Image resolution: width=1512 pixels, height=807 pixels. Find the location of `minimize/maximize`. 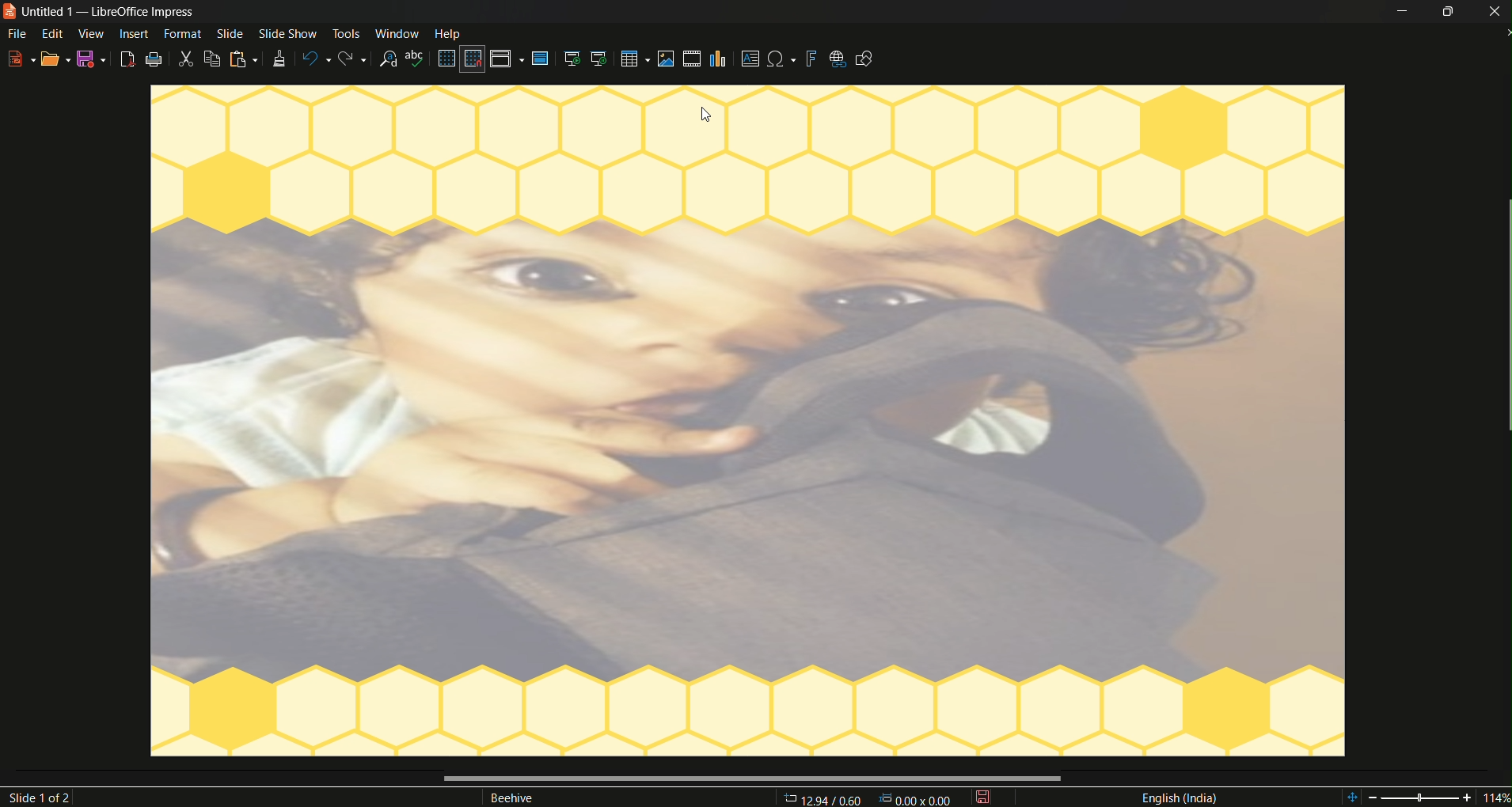

minimize/maximize is located at coordinates (1449, 12).